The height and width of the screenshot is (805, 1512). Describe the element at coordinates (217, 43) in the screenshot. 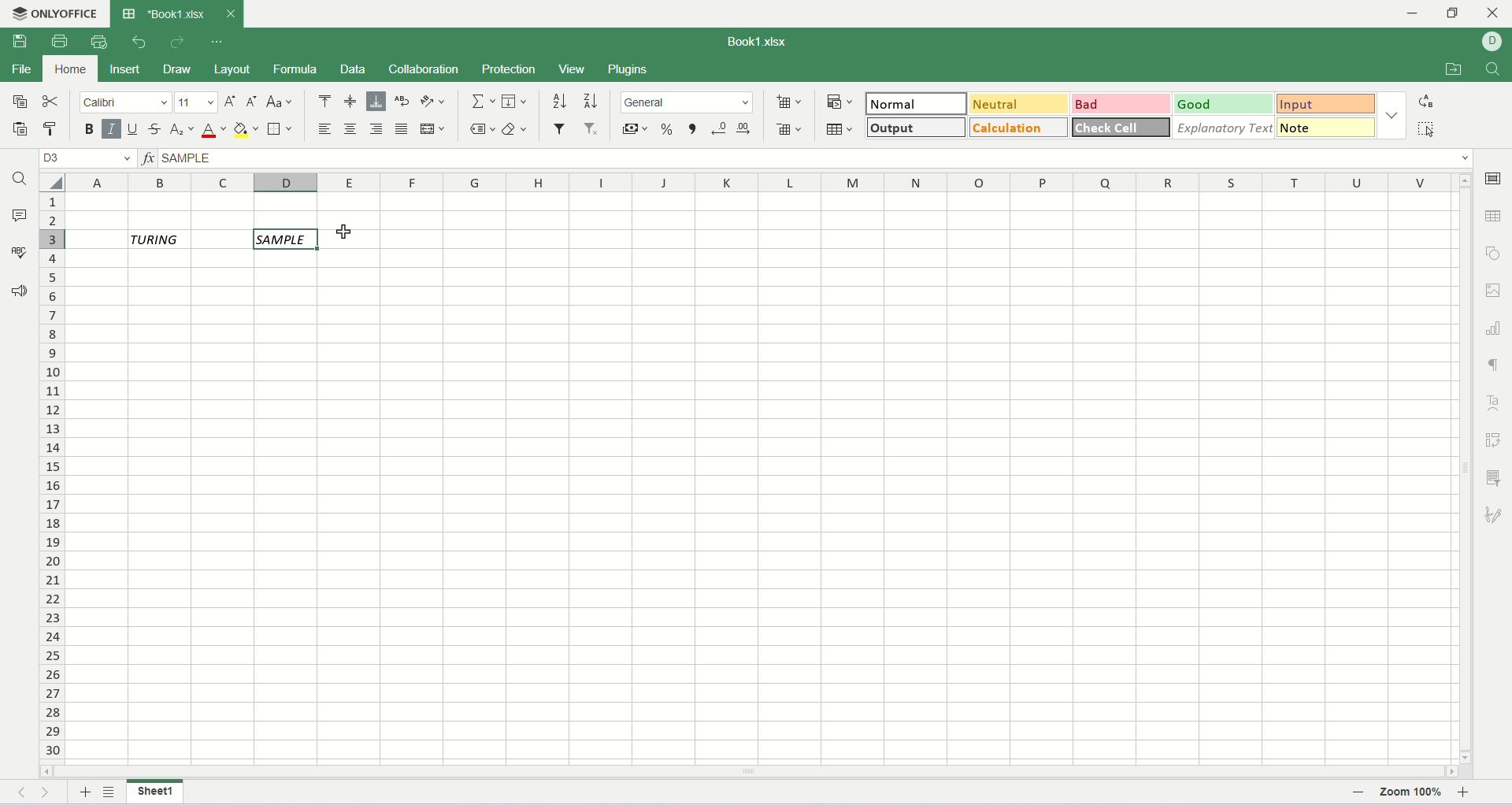

I see `quick settings` at that location.